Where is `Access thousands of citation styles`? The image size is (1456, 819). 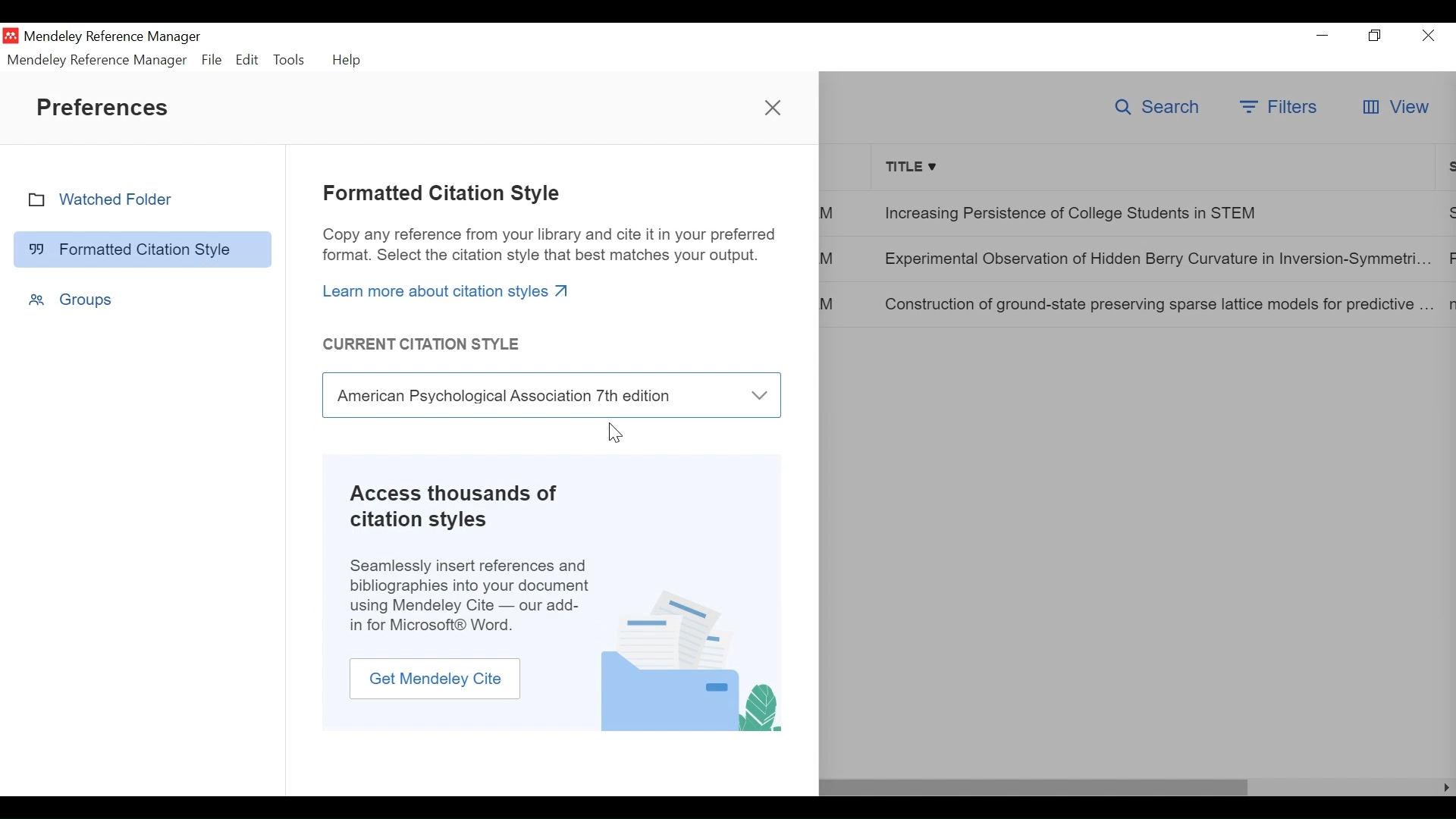
Access thousands of citation styles is located at coordinates (466, 507).